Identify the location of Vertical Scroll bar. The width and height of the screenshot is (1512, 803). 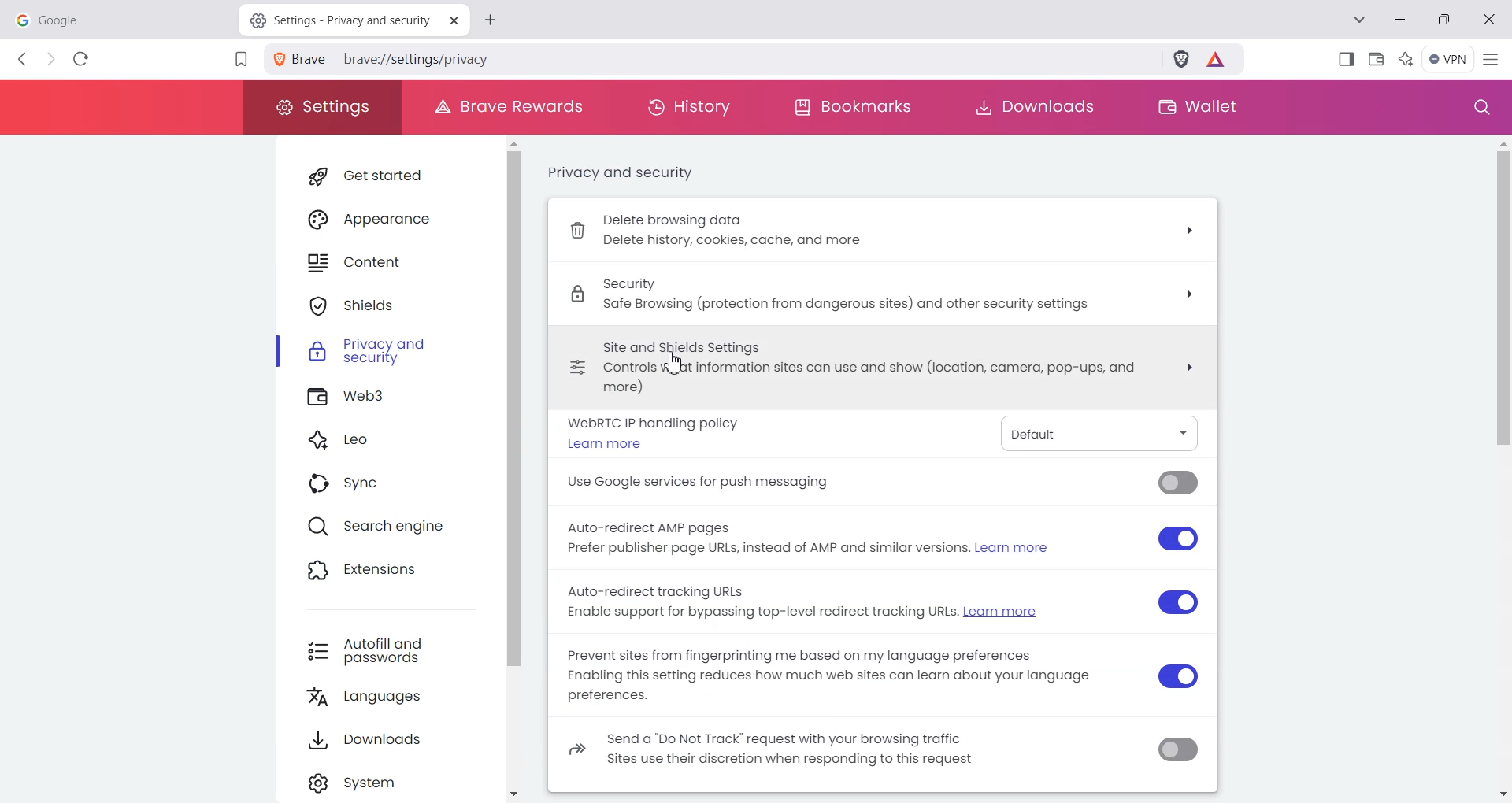
(1498, 467).